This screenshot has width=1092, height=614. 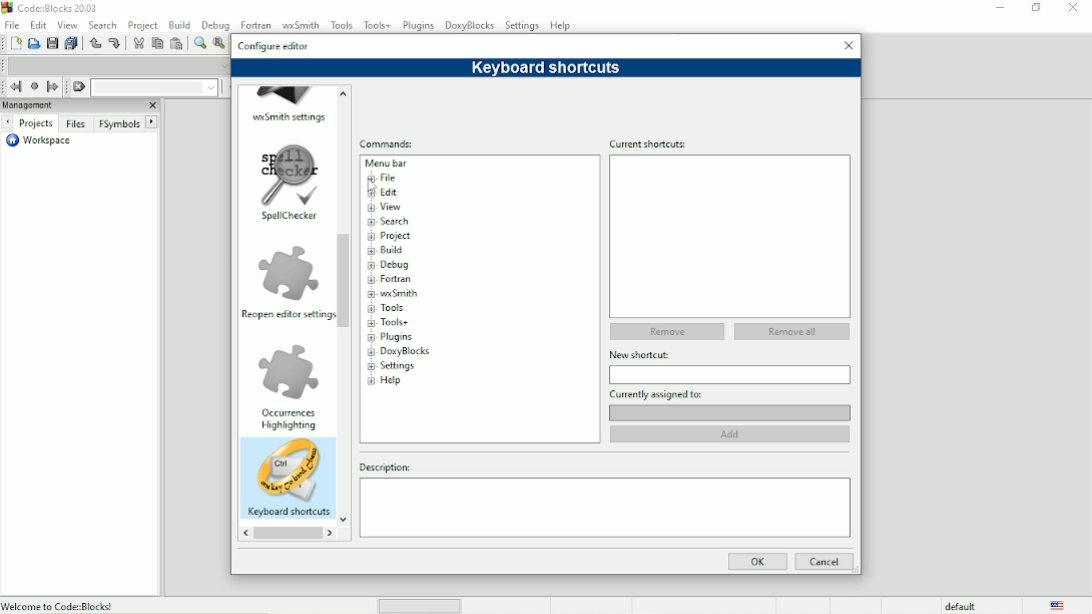 What do you see at coordinates (377, 25) in the screenshot?
I see `Tools+` at bounding box center [377, 25].